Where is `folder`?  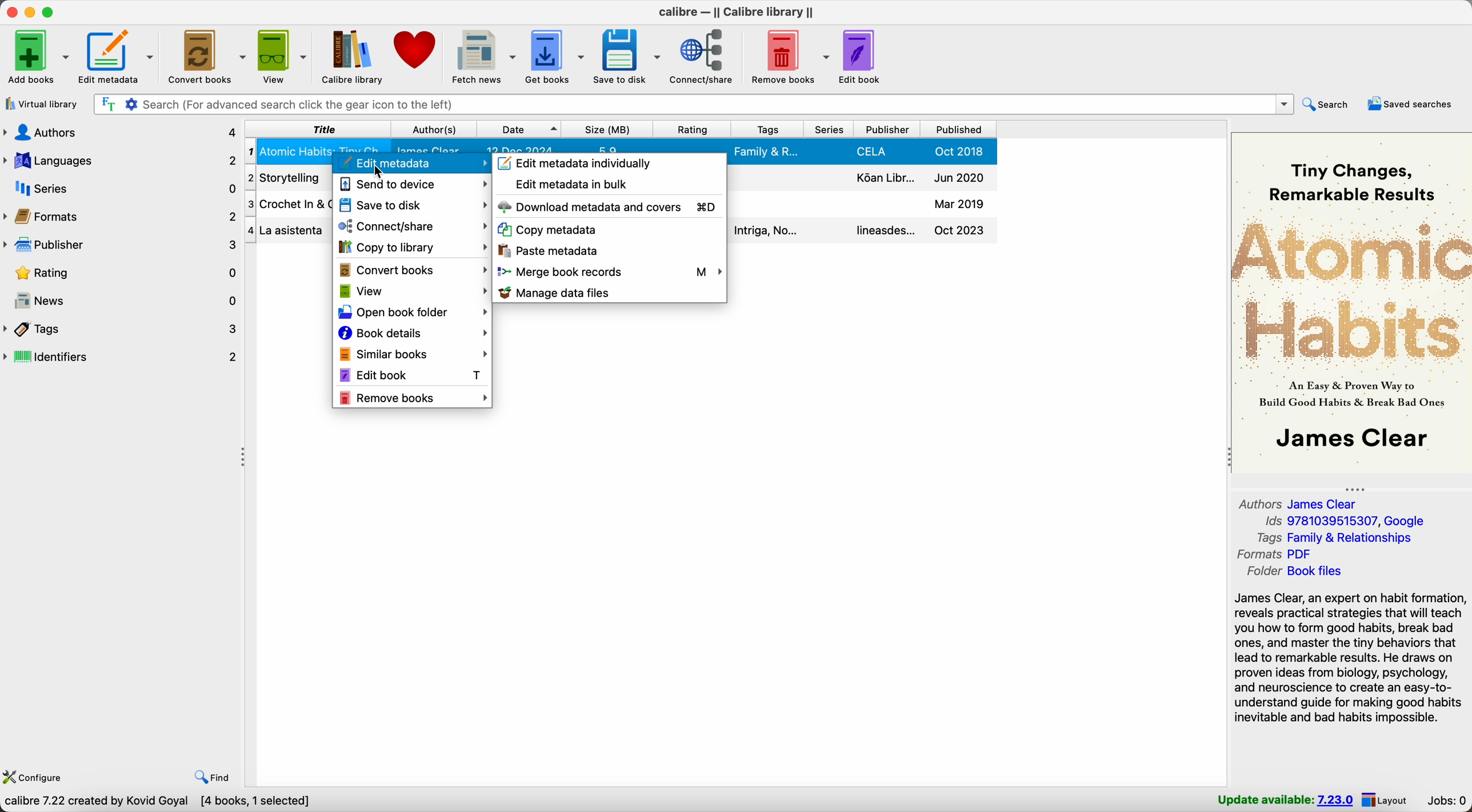 folder is located at coordinates (1293, 573).